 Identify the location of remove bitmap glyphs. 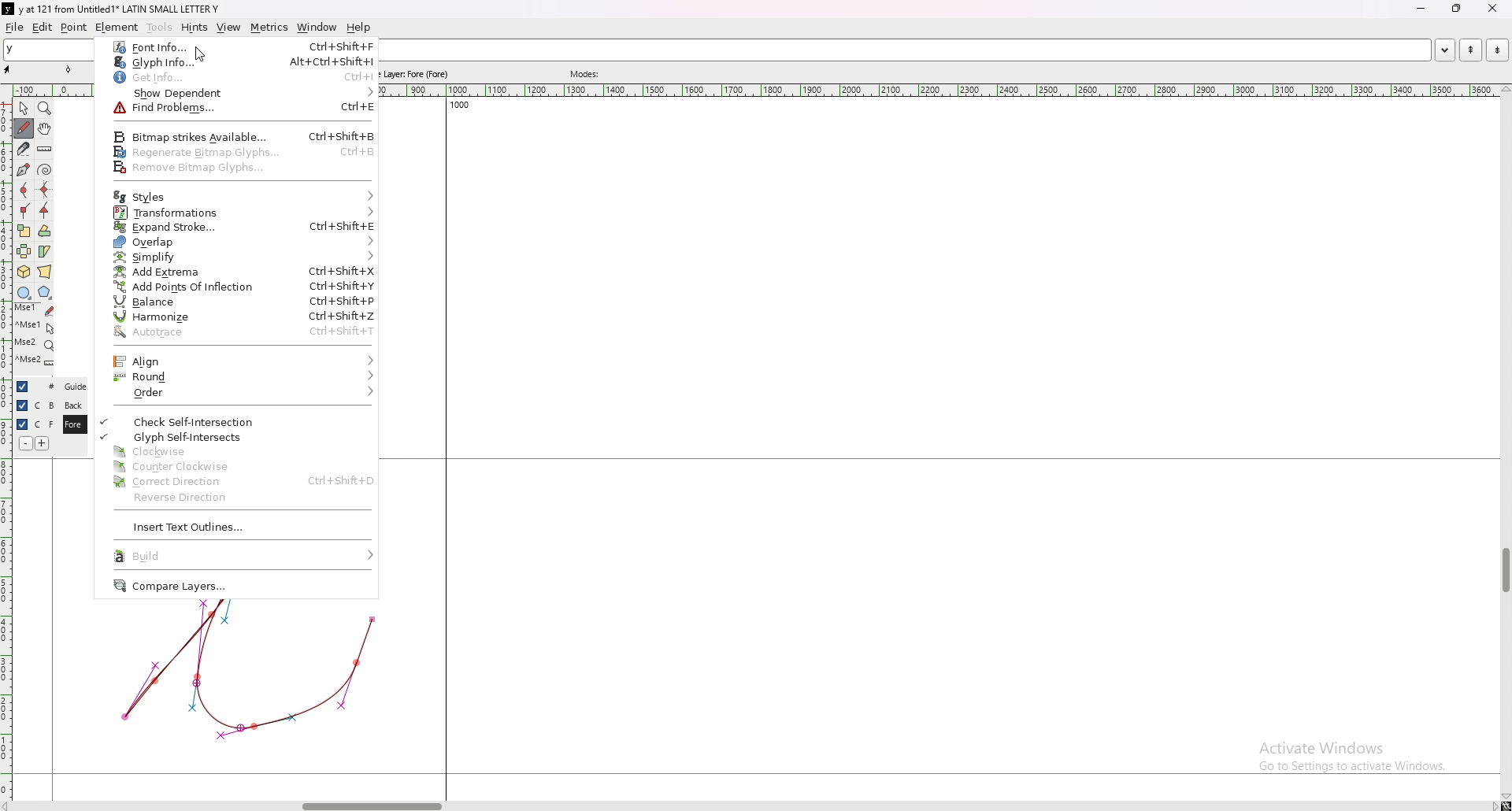
(237, 168).